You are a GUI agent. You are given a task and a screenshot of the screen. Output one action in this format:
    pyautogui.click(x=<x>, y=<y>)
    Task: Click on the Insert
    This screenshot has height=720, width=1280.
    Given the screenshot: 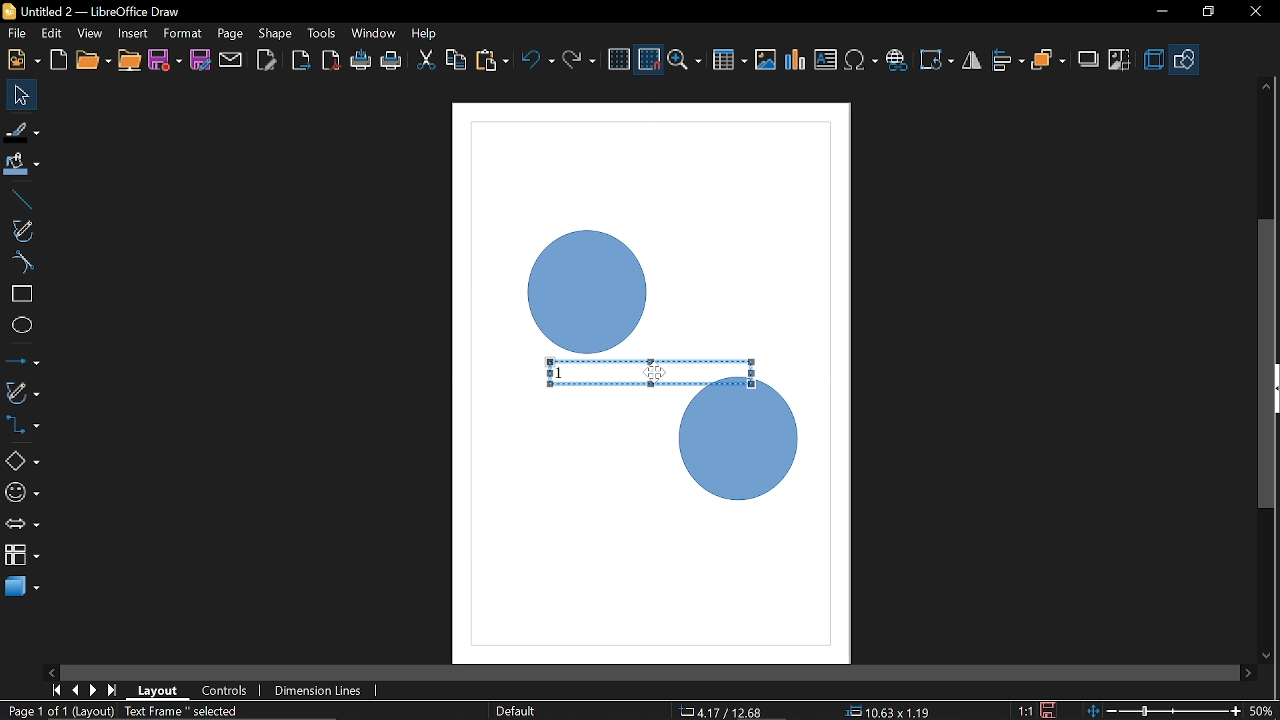 What is the action you would take?
    pyautogui.click(x=134, y=33)
    